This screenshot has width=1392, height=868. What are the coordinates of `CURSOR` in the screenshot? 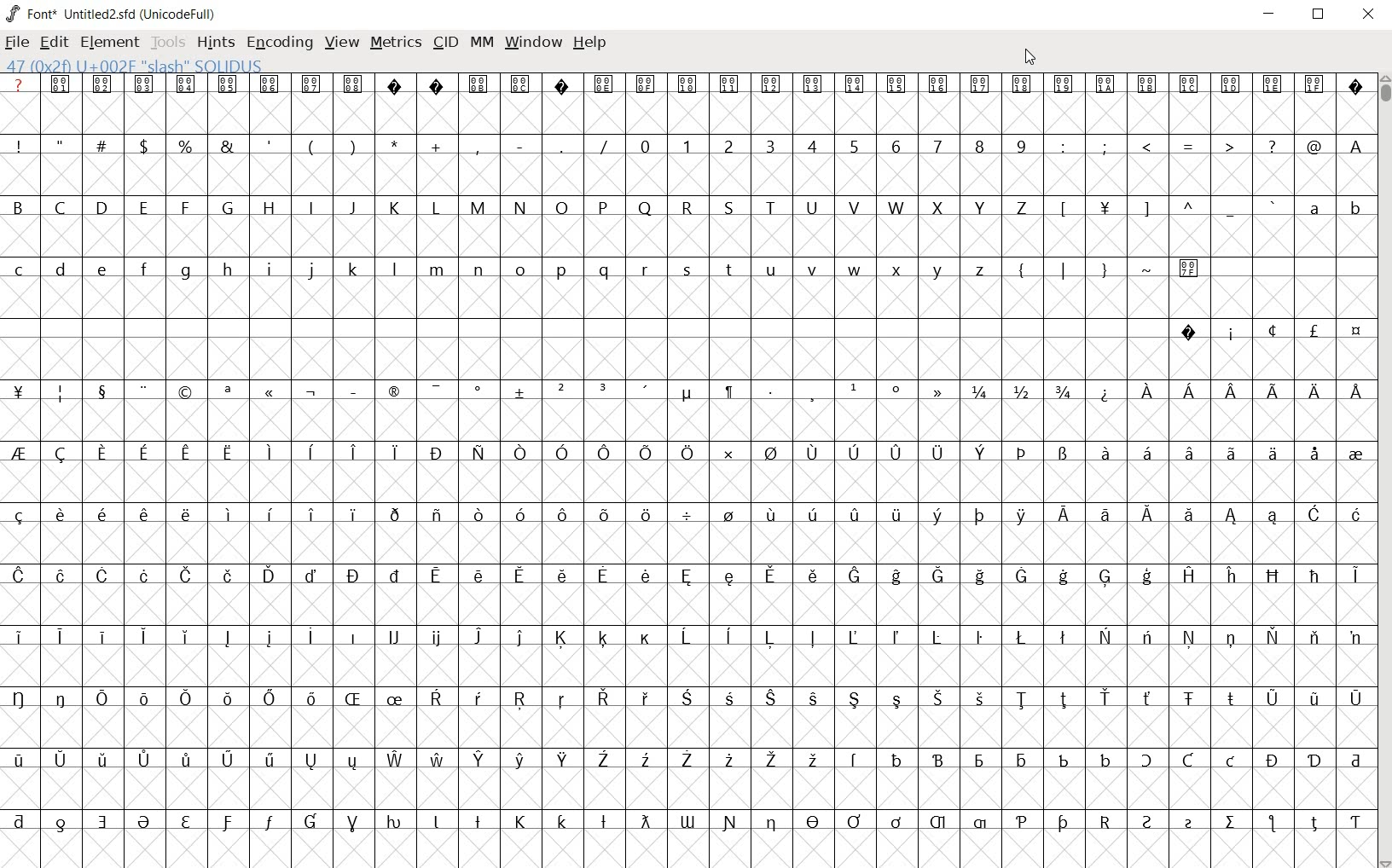 It's located at (1383, 472).